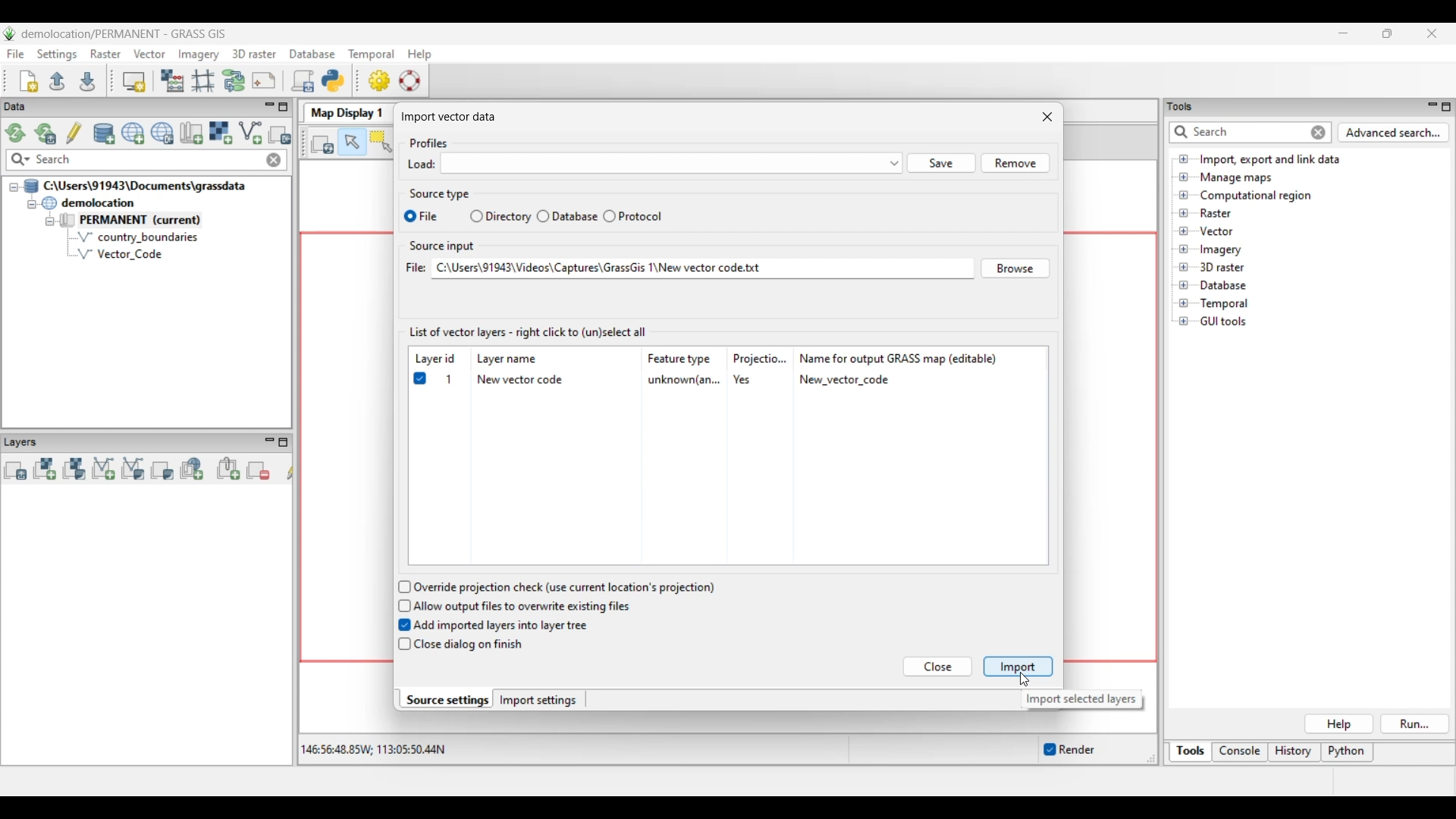  What do you see at coordinates (409, 80) in the screenshot?
I see `GRASS manual` at bounding box center [409, 80].